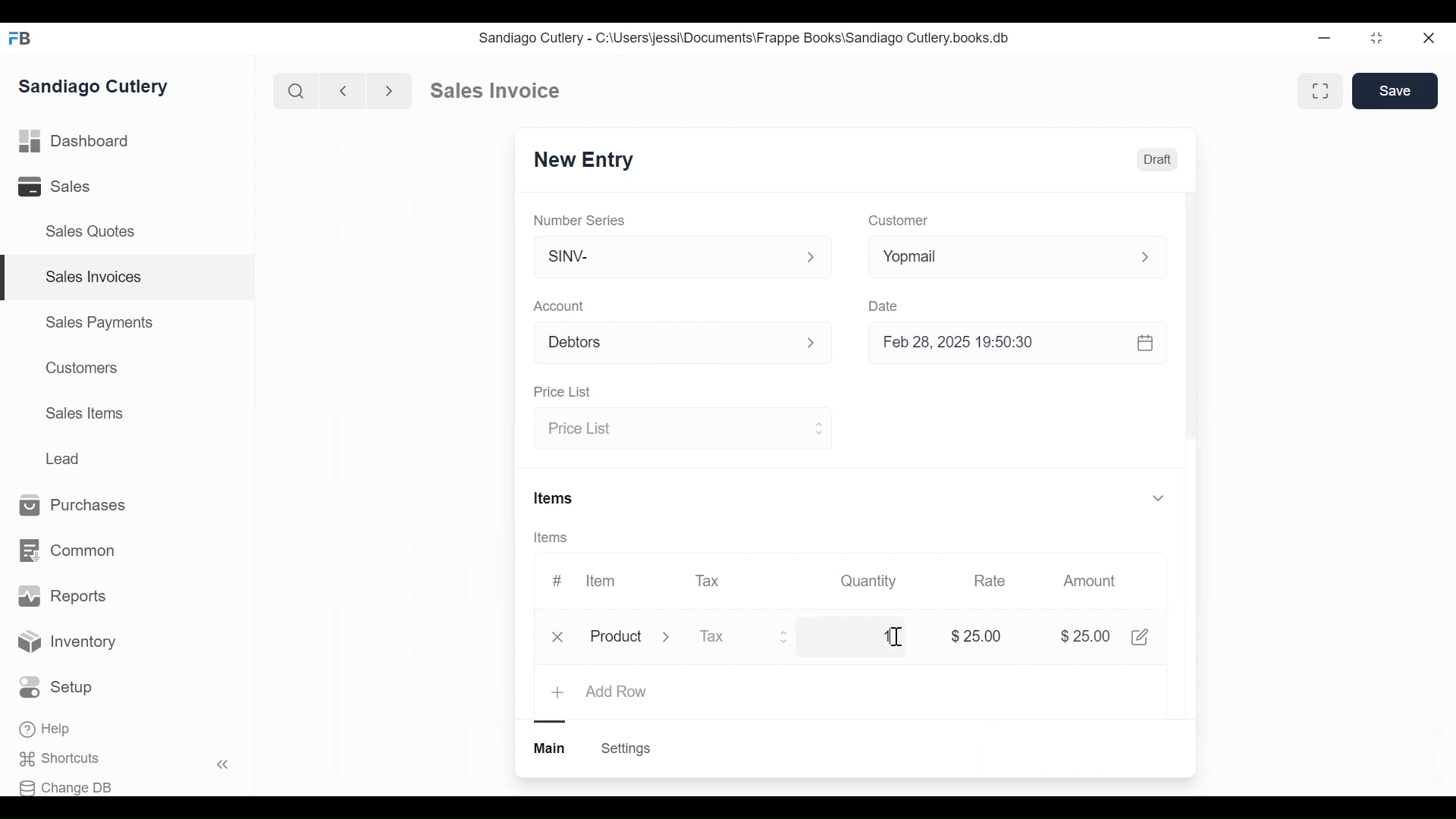 The image size is (1456, 819). Describe the element at coordinates (1018, 256) in the screenshot. I see `Yopmail` at that location.